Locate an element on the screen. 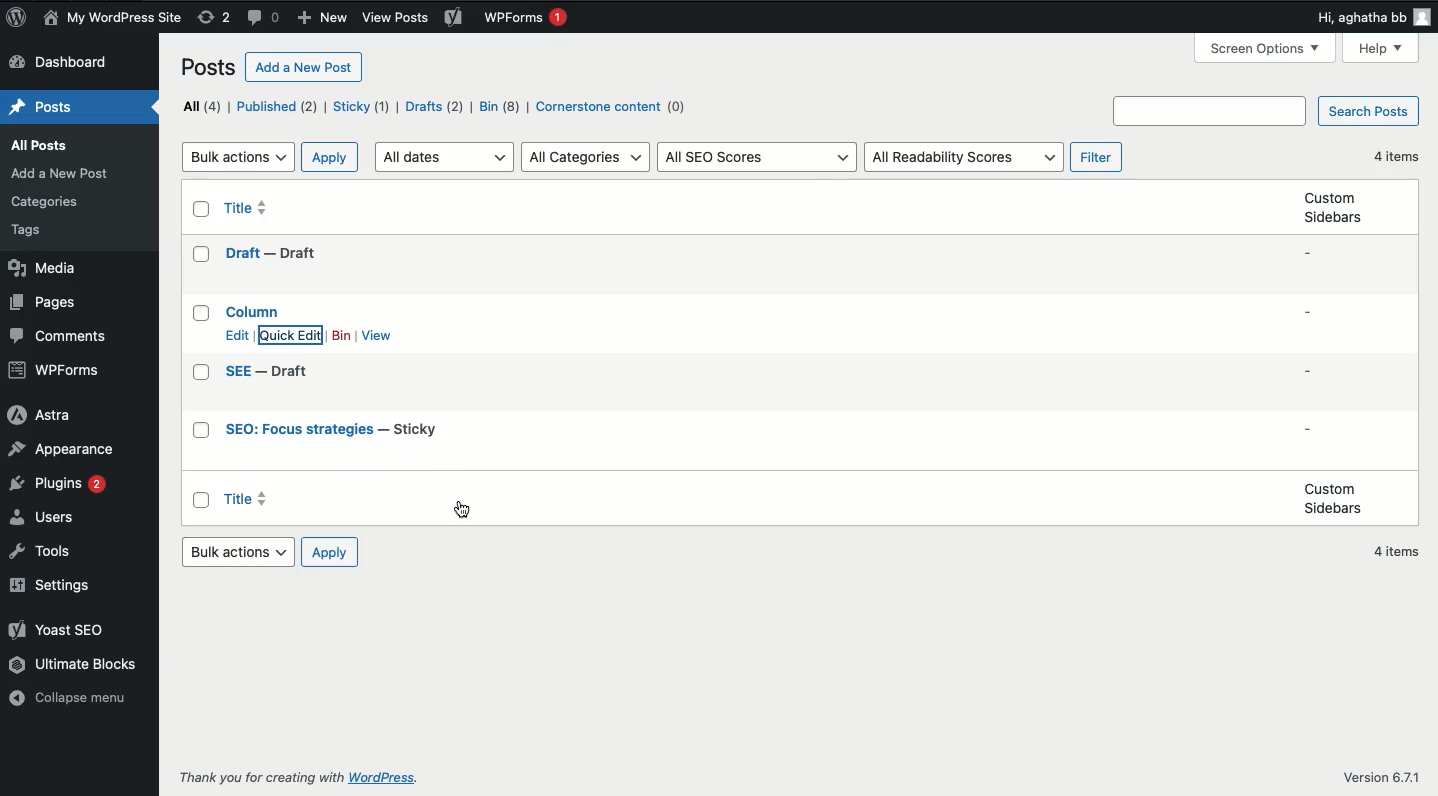 The height and width of the screenshot is (796, 1438). checkbox is located at coordinates (200, 255).